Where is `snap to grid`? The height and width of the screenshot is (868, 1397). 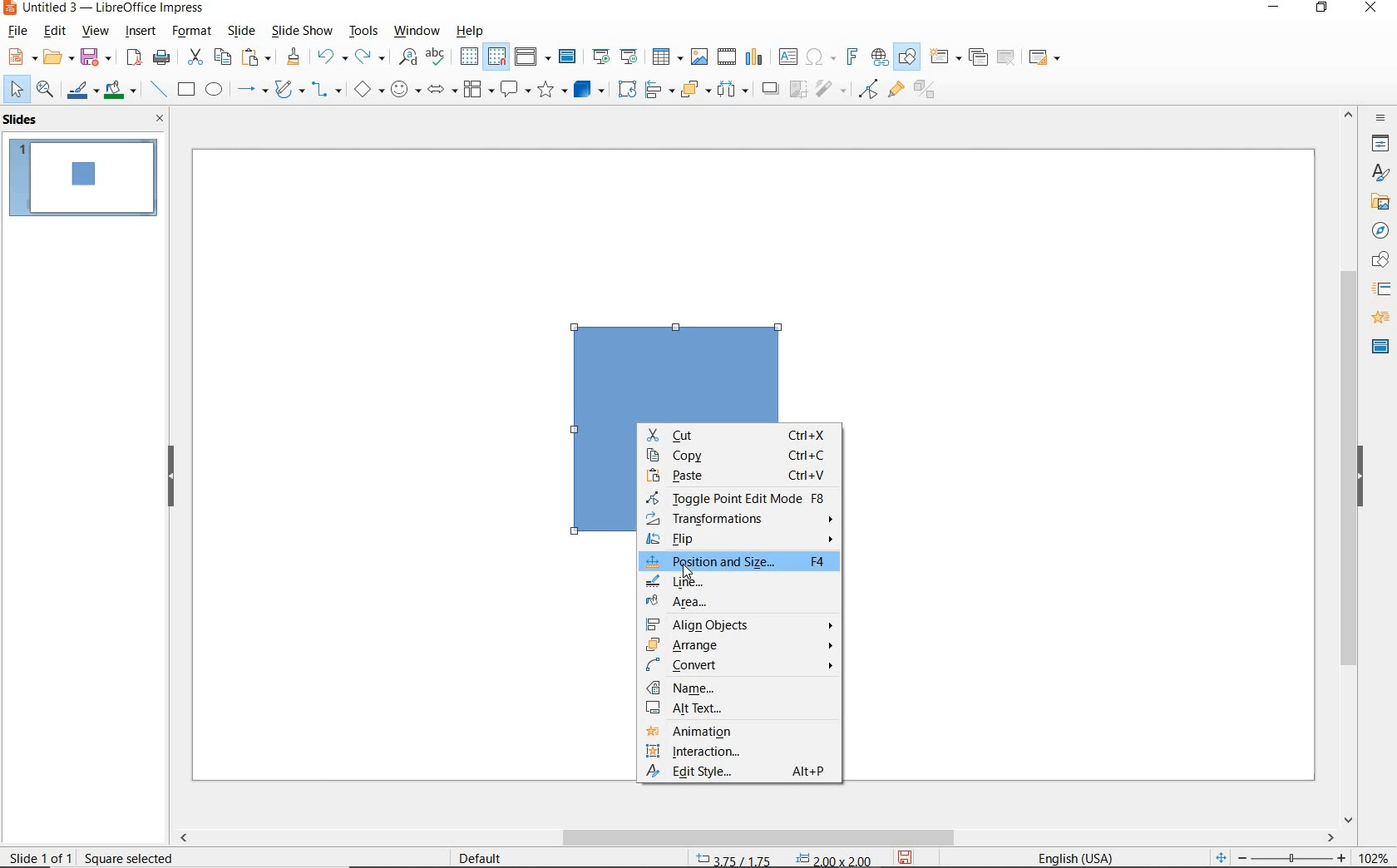
snap to grid is located at coordinates (499, 57).